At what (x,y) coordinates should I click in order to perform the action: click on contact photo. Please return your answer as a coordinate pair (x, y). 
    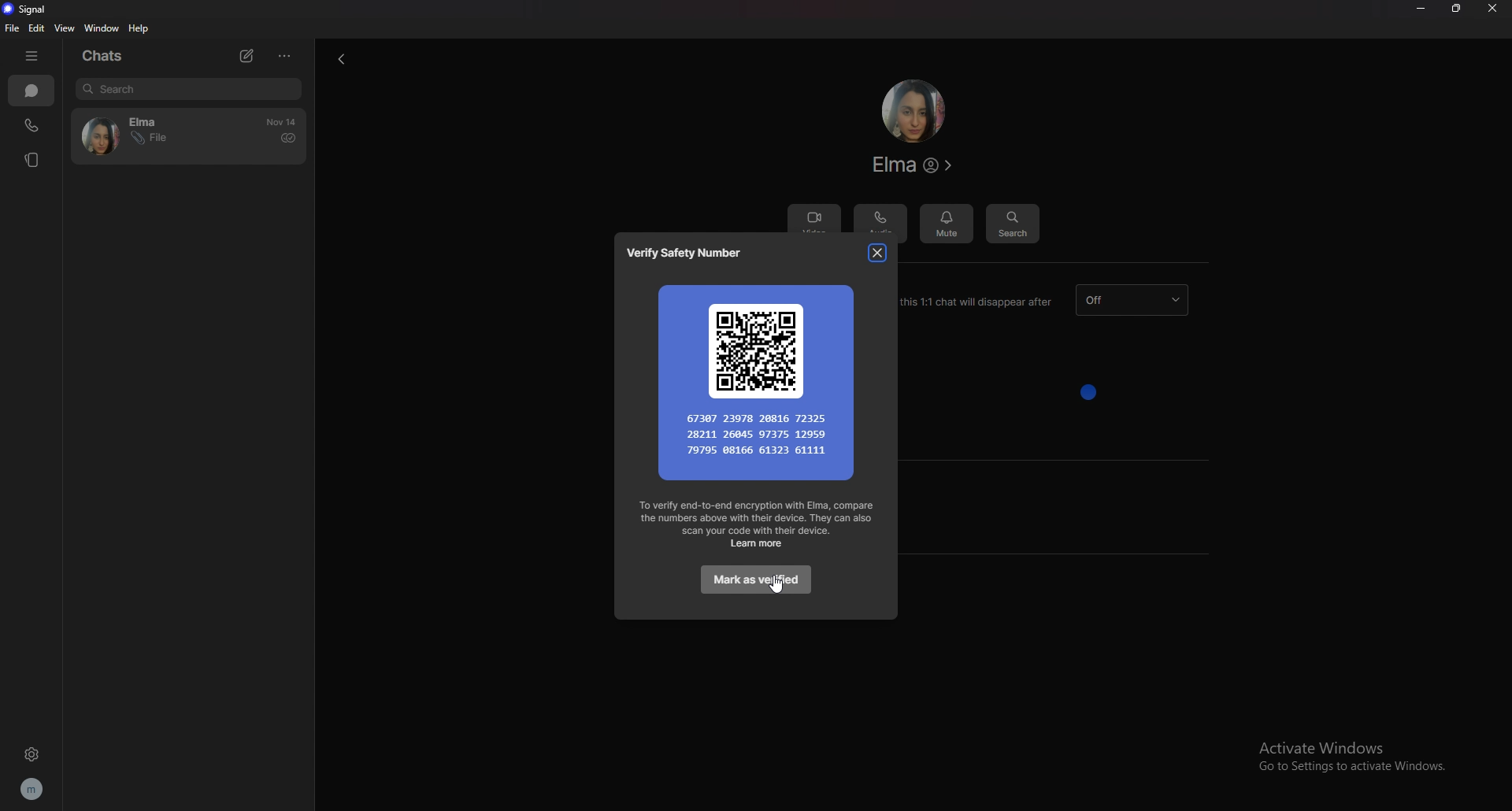
    Looking at the image, I should click on (913, 111).